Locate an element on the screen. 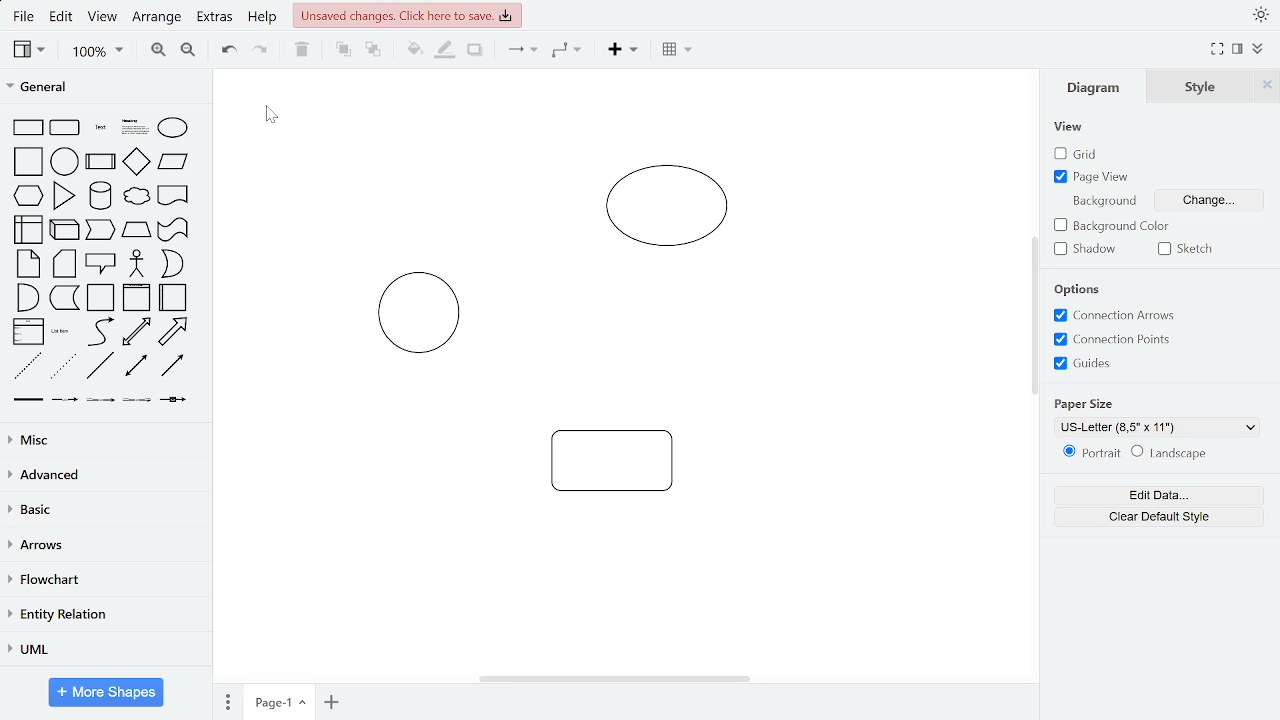  triangle is located at coordinates (64, 196).